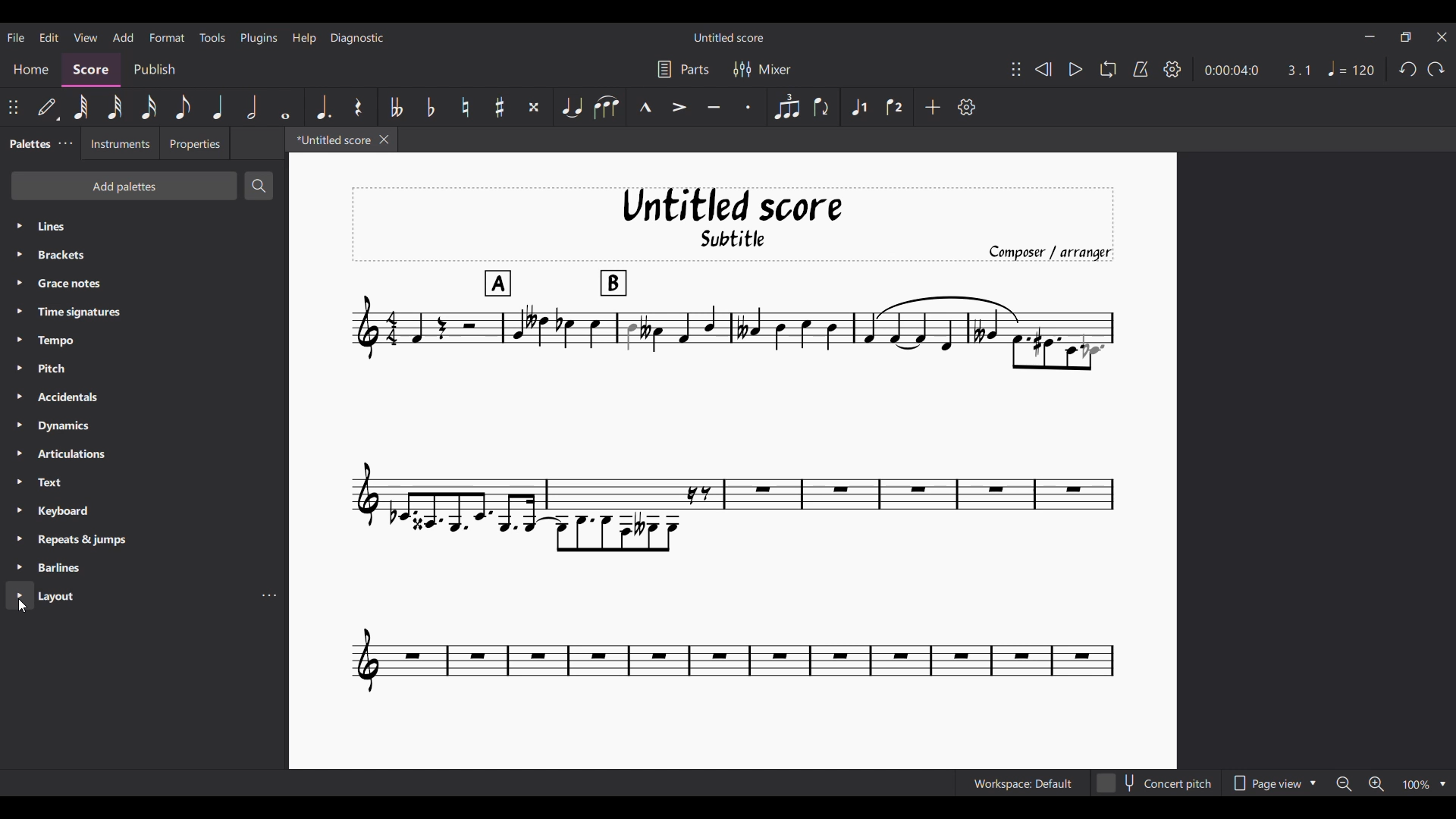 Image resolution: width=1456 pixels, height=819 pixels. What do you see at coordinates (1043, 69) in the screenshot?
I see `Rewind` at bounding box center [1043, 69].